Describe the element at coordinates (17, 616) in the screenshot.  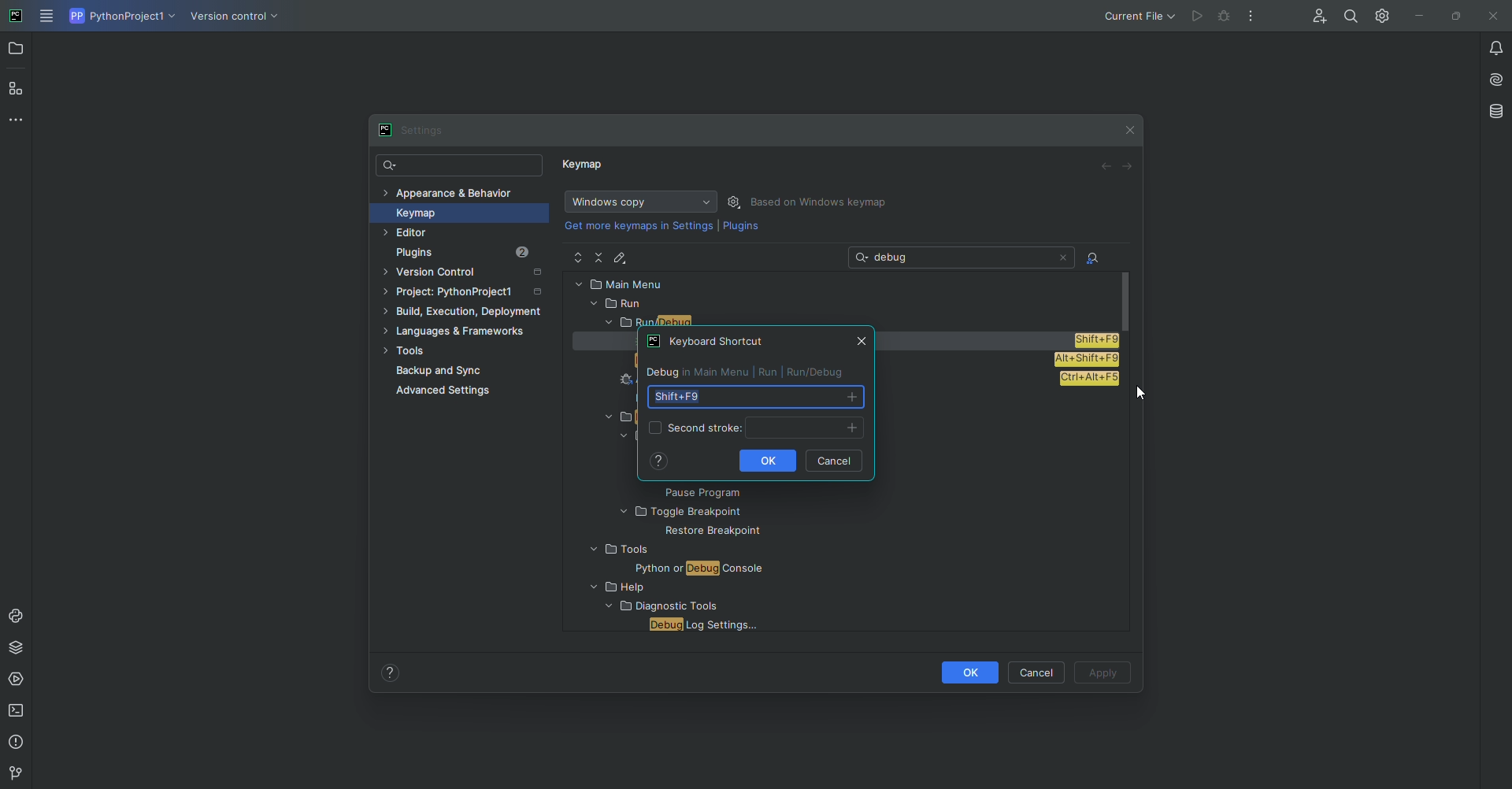
I see `Console` at that location.